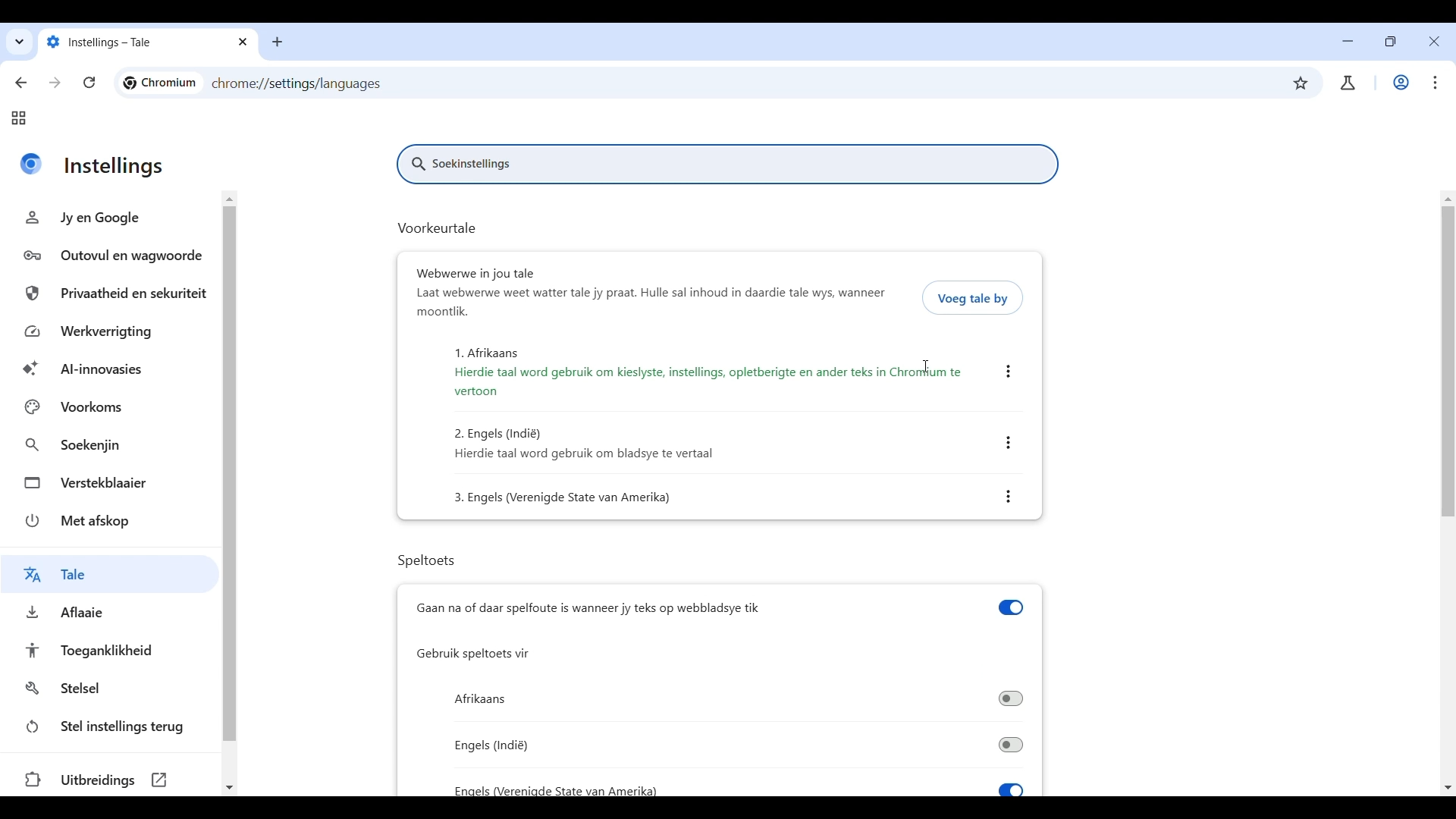 This screenshot has width=1456, height=819. What do you see at coordinates (1301, 83) in the screenshot?
I see `Bookmark this tab` at bounding box center [1301, 83].